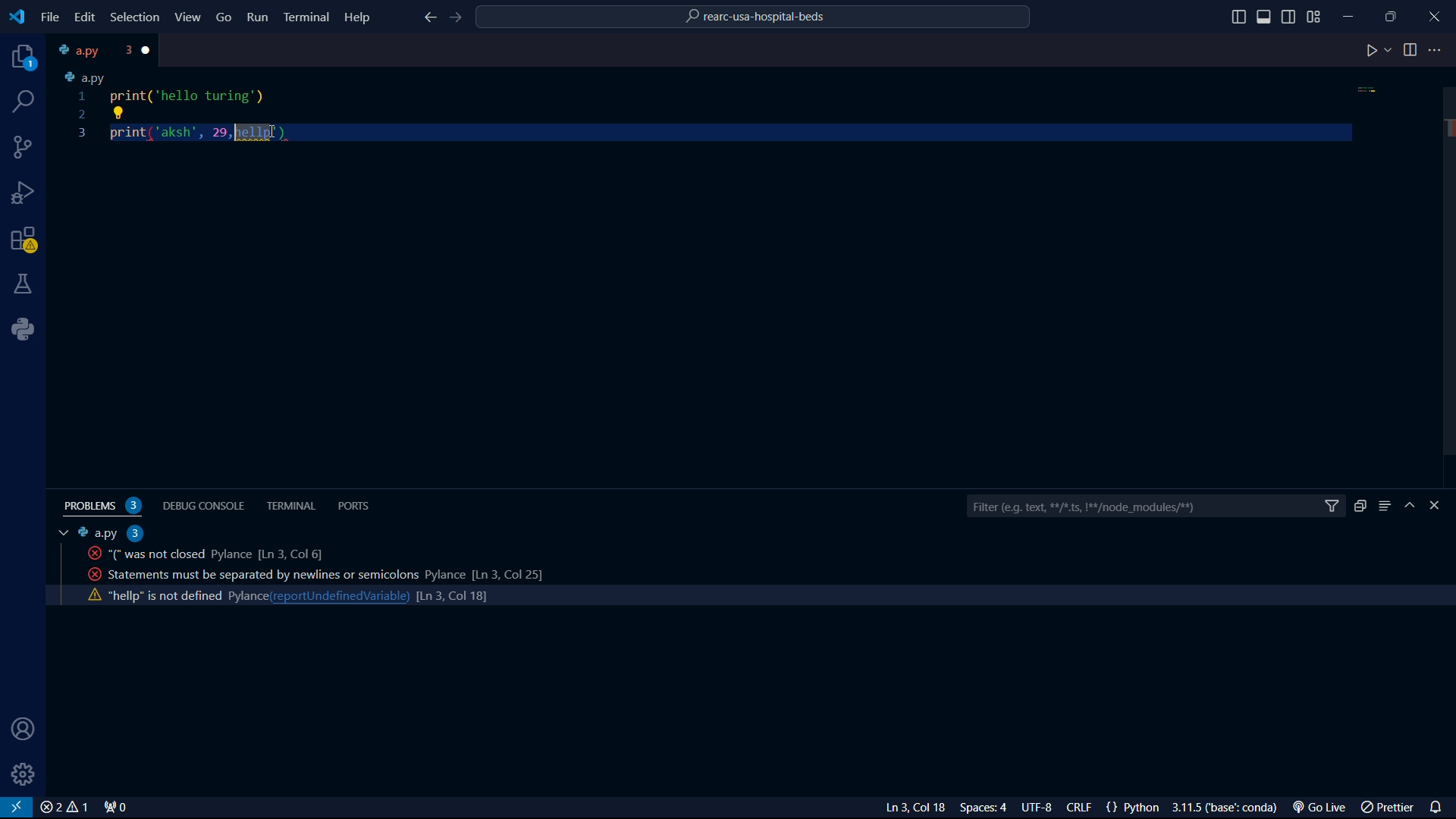  What do you see at coordinates (459, 18) in the screenshot?
I see `foward` at bounding box center [459, 18].